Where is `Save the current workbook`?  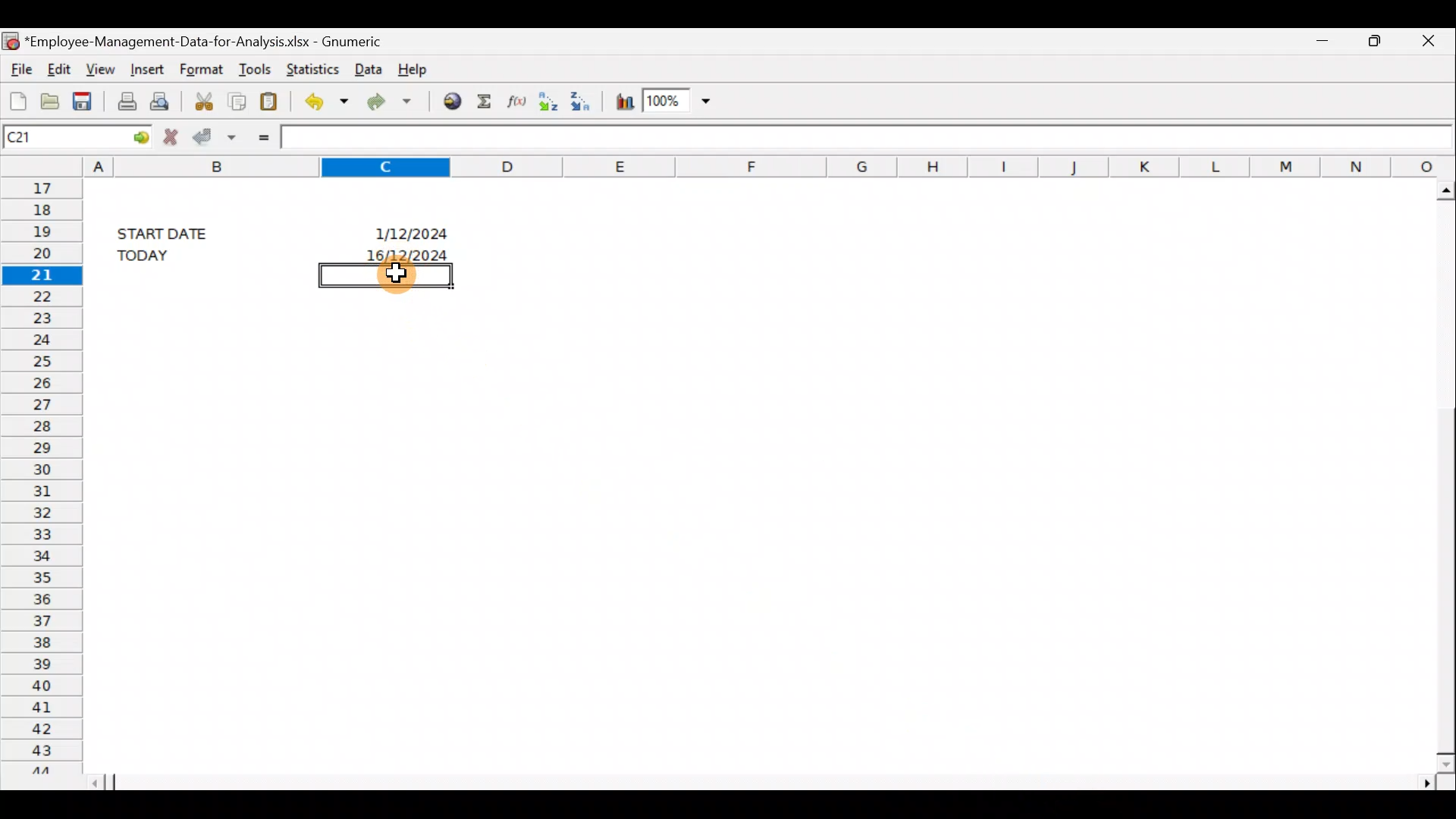
Save the current workbook is located at coordinates (85, 99).